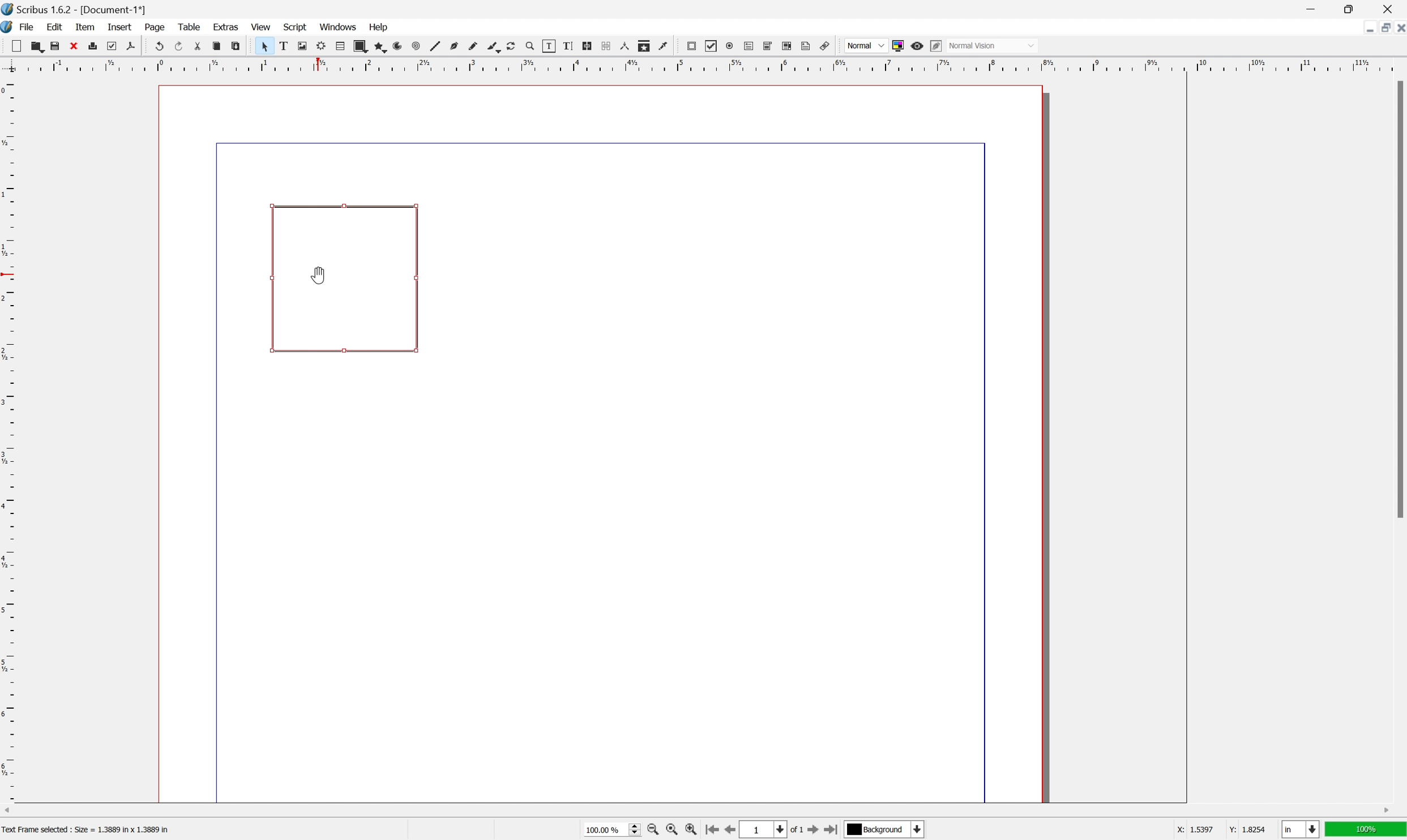  What do you see at coordinates (416, 47) in the screenshot?
I see `spiral` at bounding box center [416, 47].